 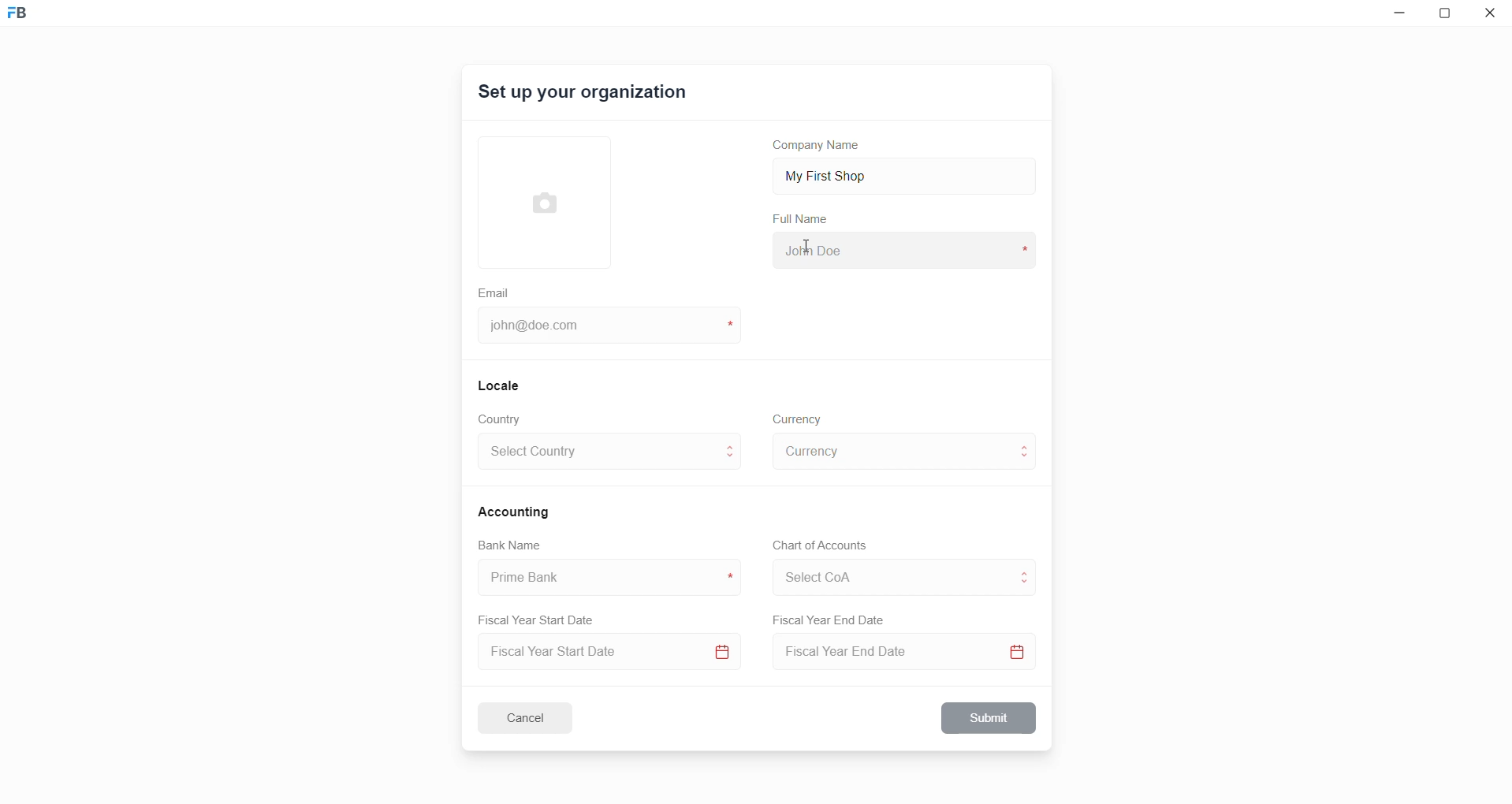 I want to click on Email, so click(x=496, y=291).